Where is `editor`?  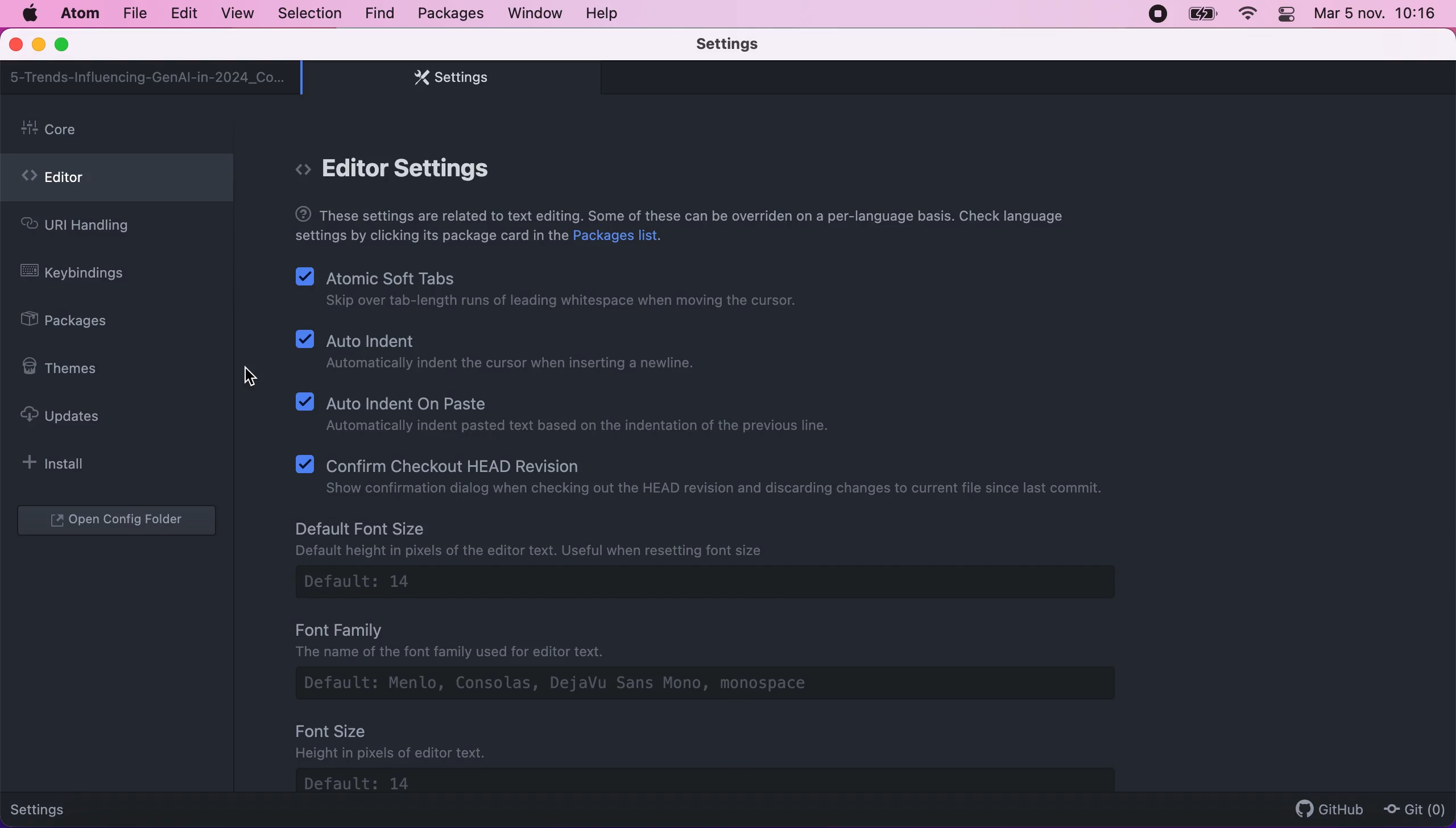
editor is located at coordinates (117, 181).